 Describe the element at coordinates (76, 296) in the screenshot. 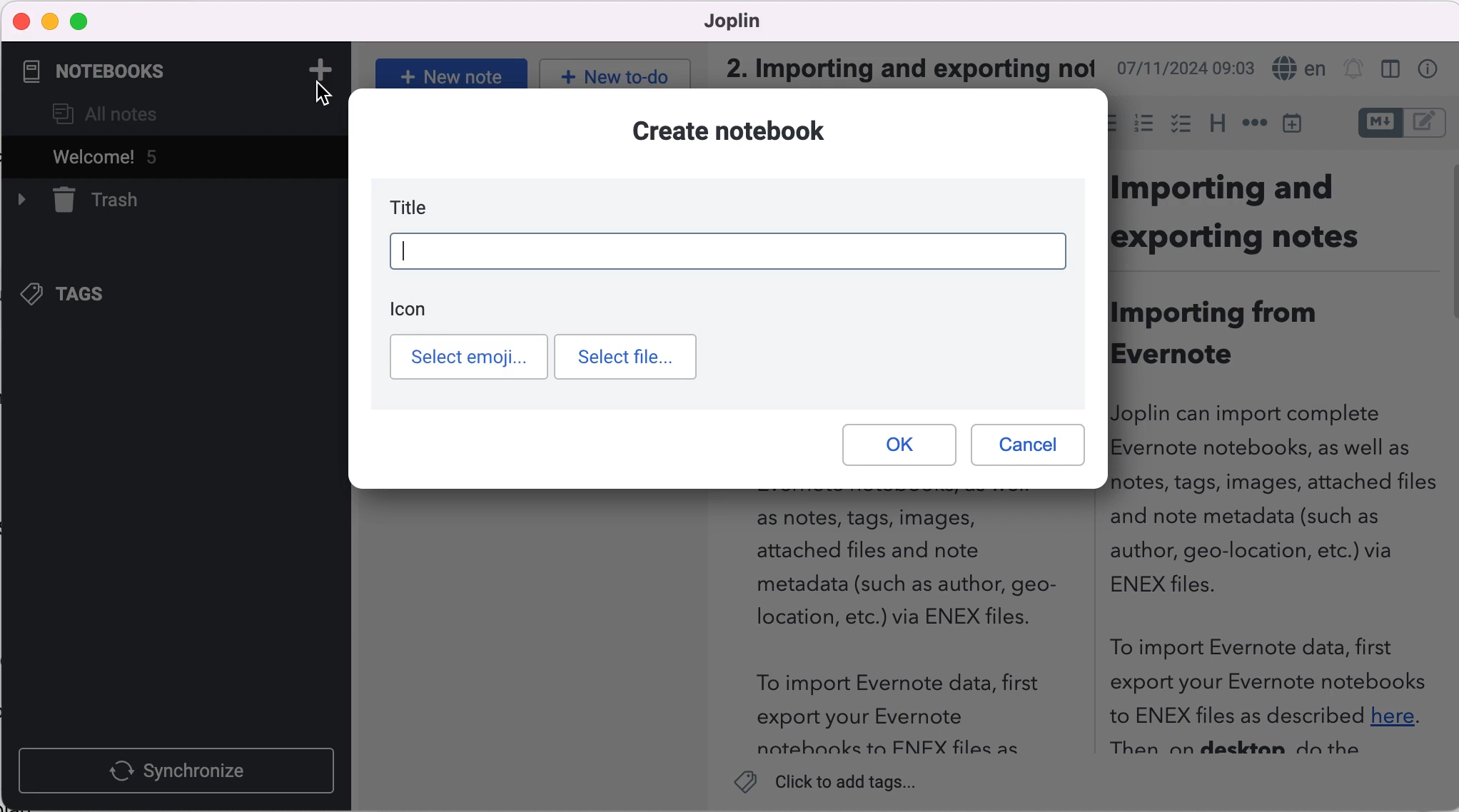

I see `tags` at that location.